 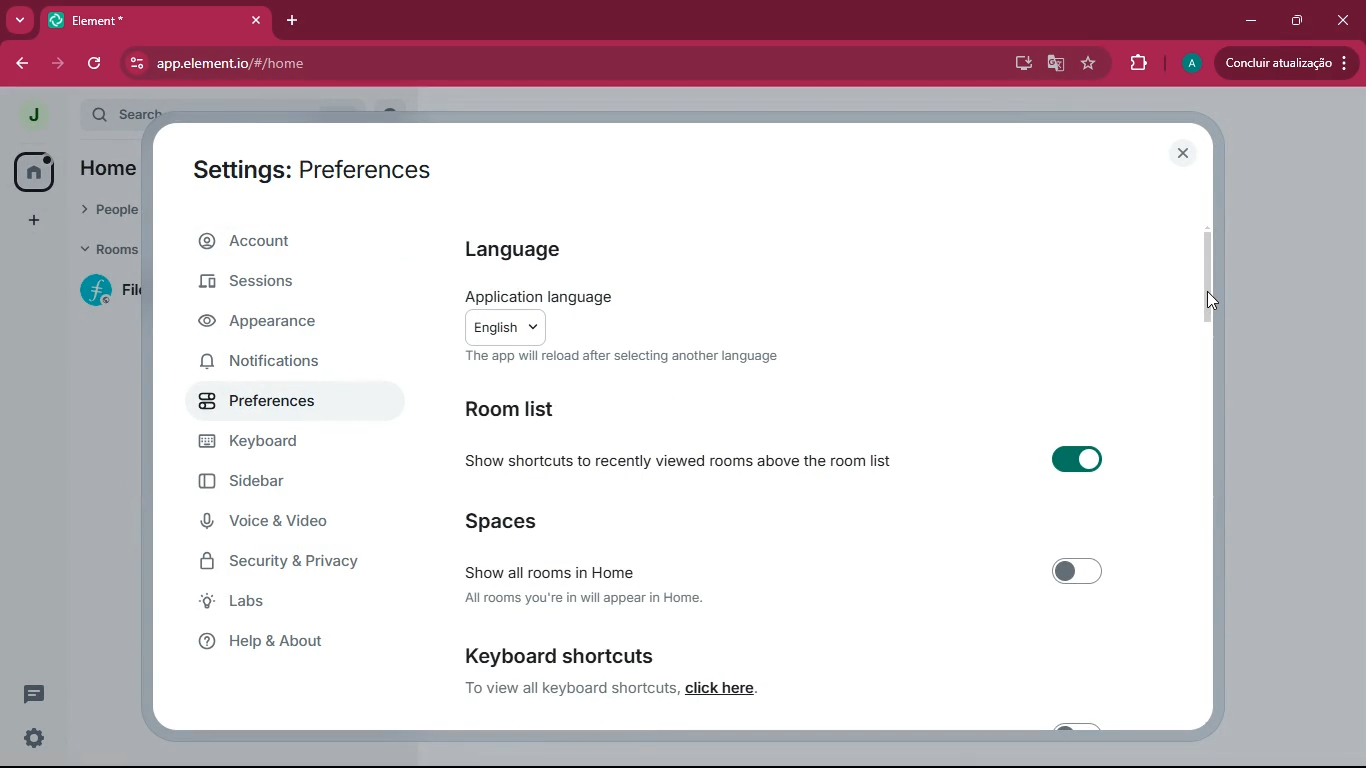 I want to click on security & privacy, so click(x=292, y=559).